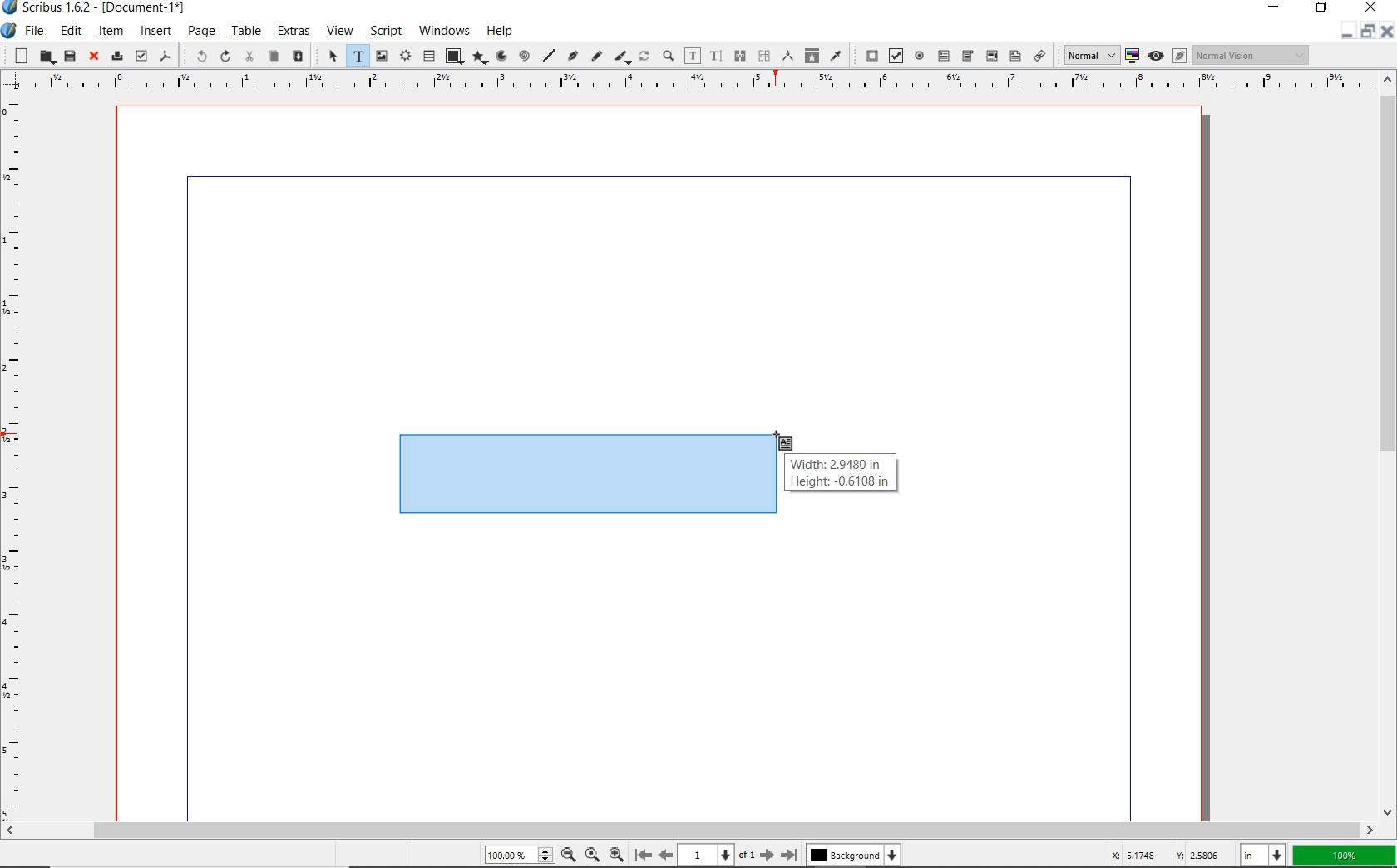 This screenshot has height=868, width=1397. Describe the element at coordinates (224, 56) in the screenshot. I see `redo` at that location.